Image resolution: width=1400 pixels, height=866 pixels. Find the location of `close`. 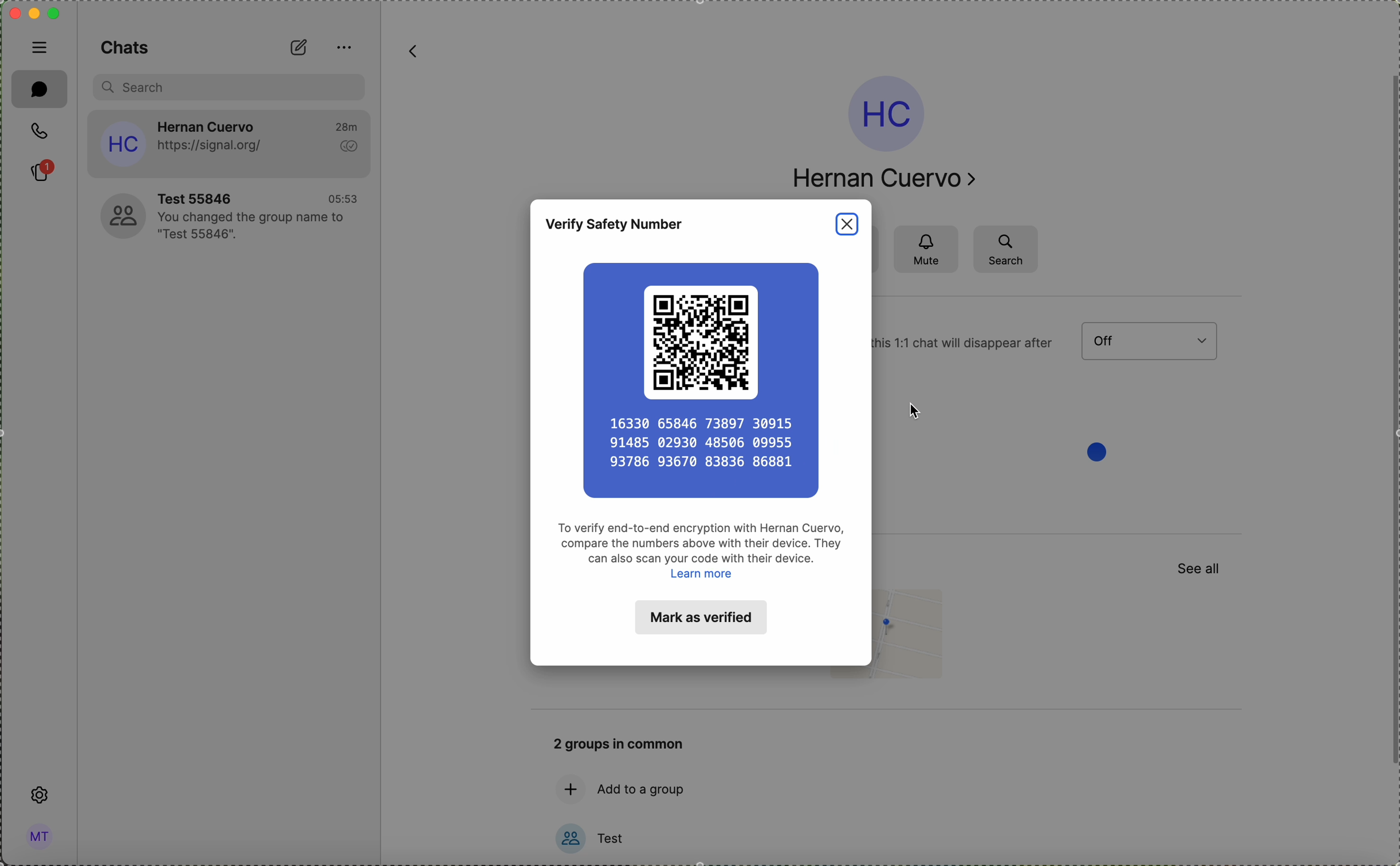

close is located at coordinates (845, 225).